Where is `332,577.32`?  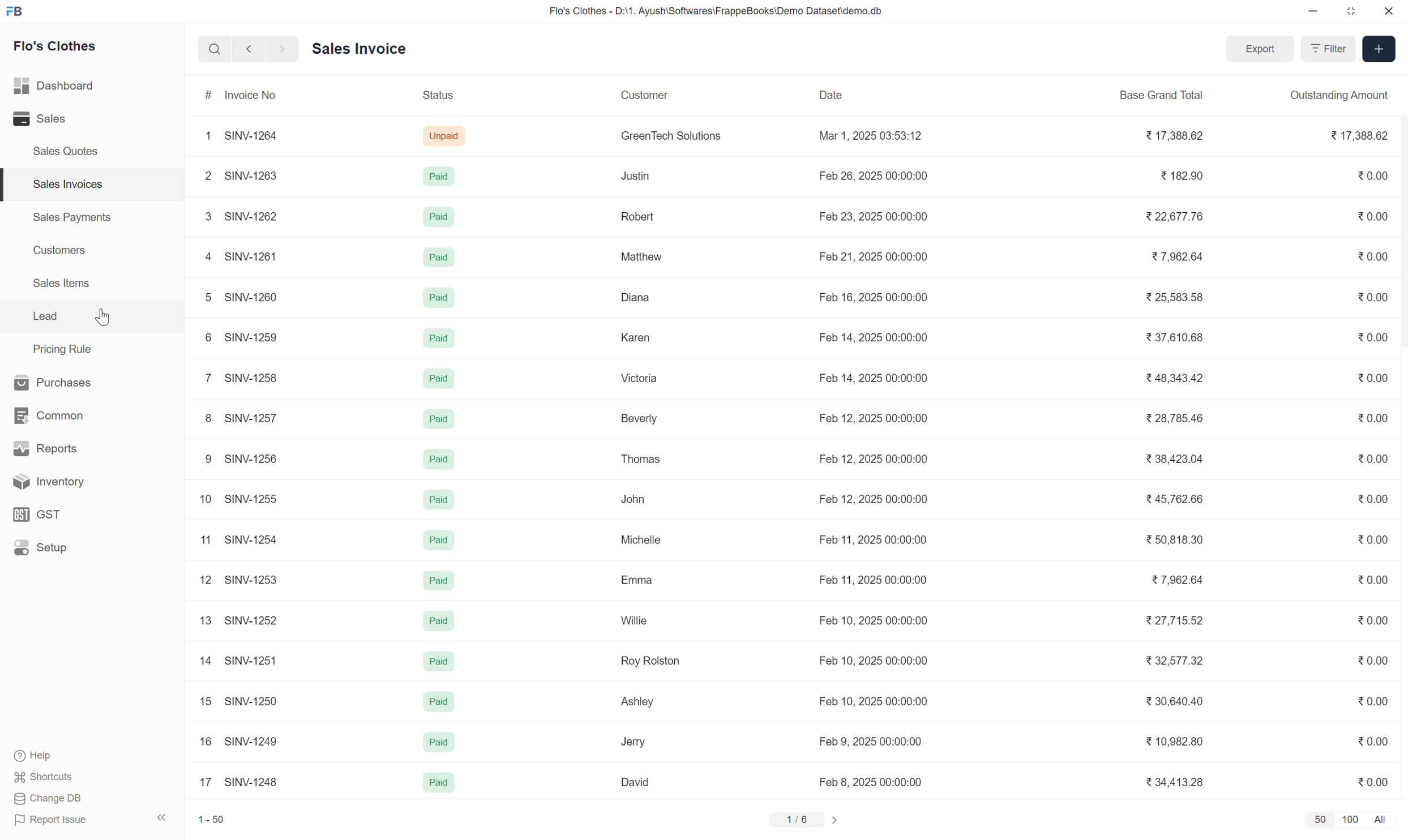 332,577.32 is located at coordinates (1180, 659).